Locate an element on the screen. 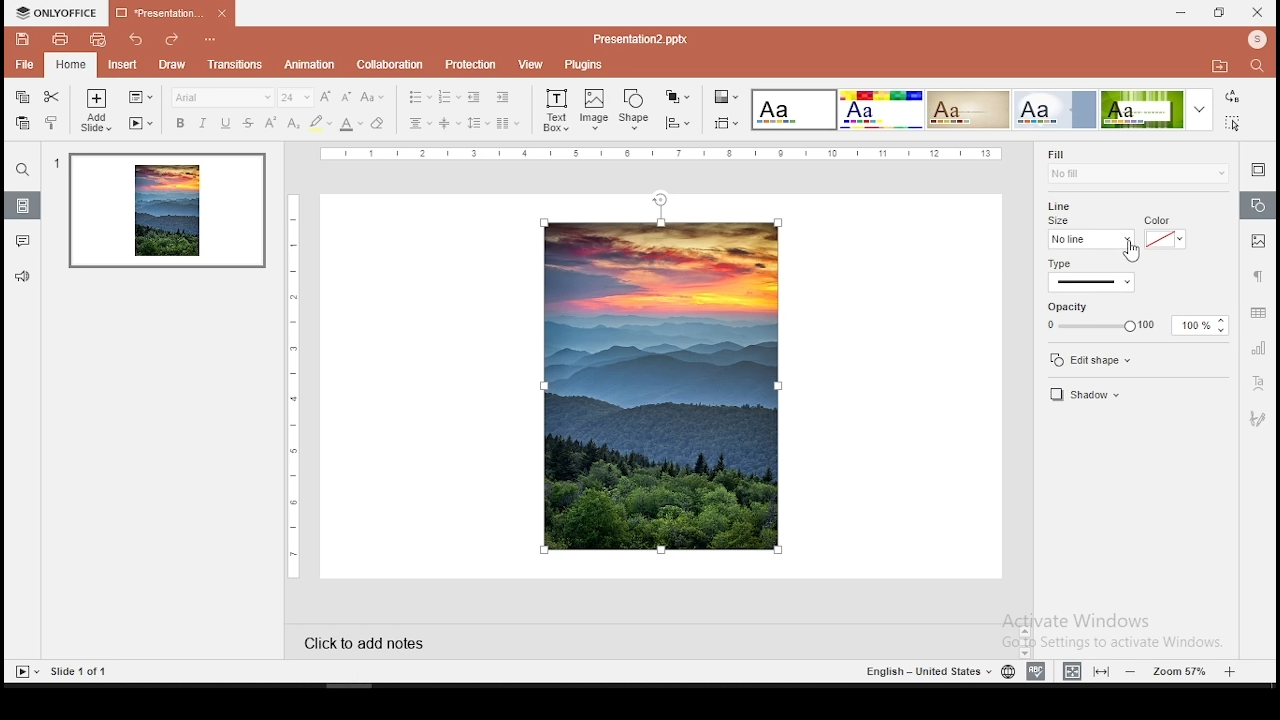 This screenshot has width=1280, height=720. restore is located at coordinates (1217, 12).